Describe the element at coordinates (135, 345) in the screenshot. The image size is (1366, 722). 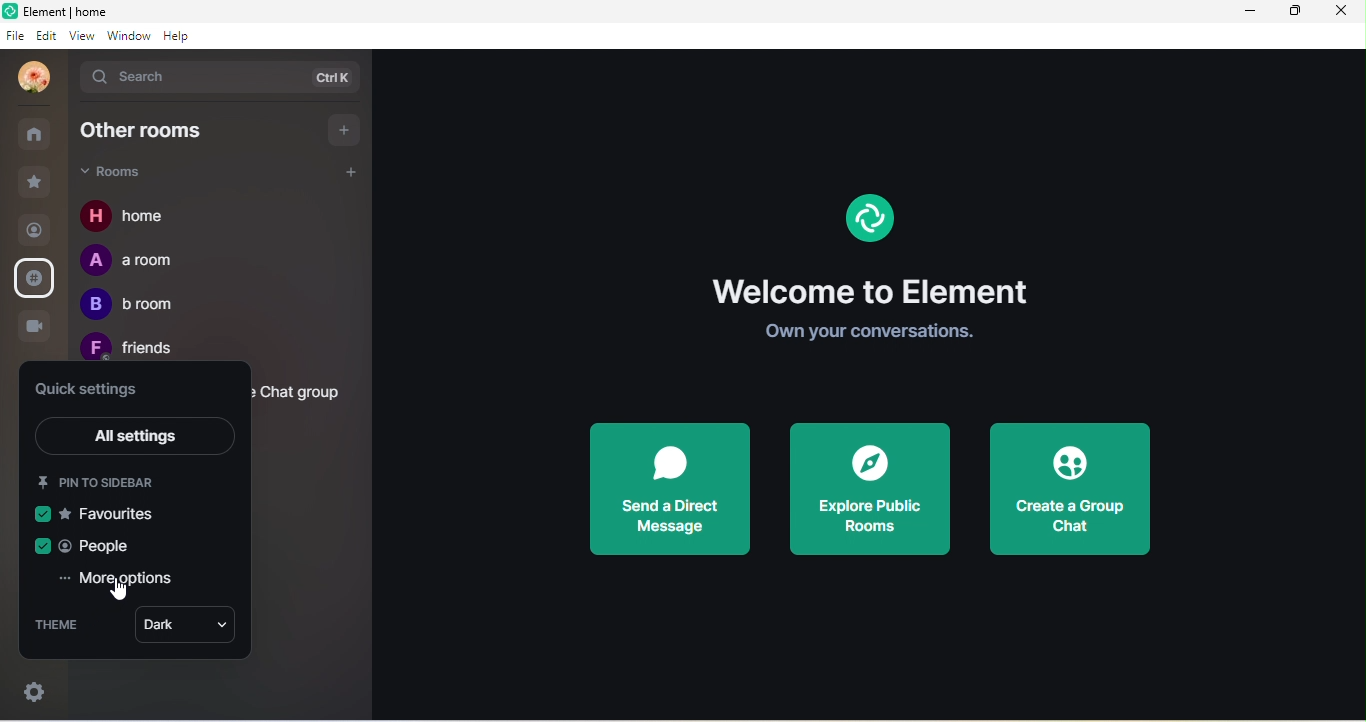
I see `friends` at that location.